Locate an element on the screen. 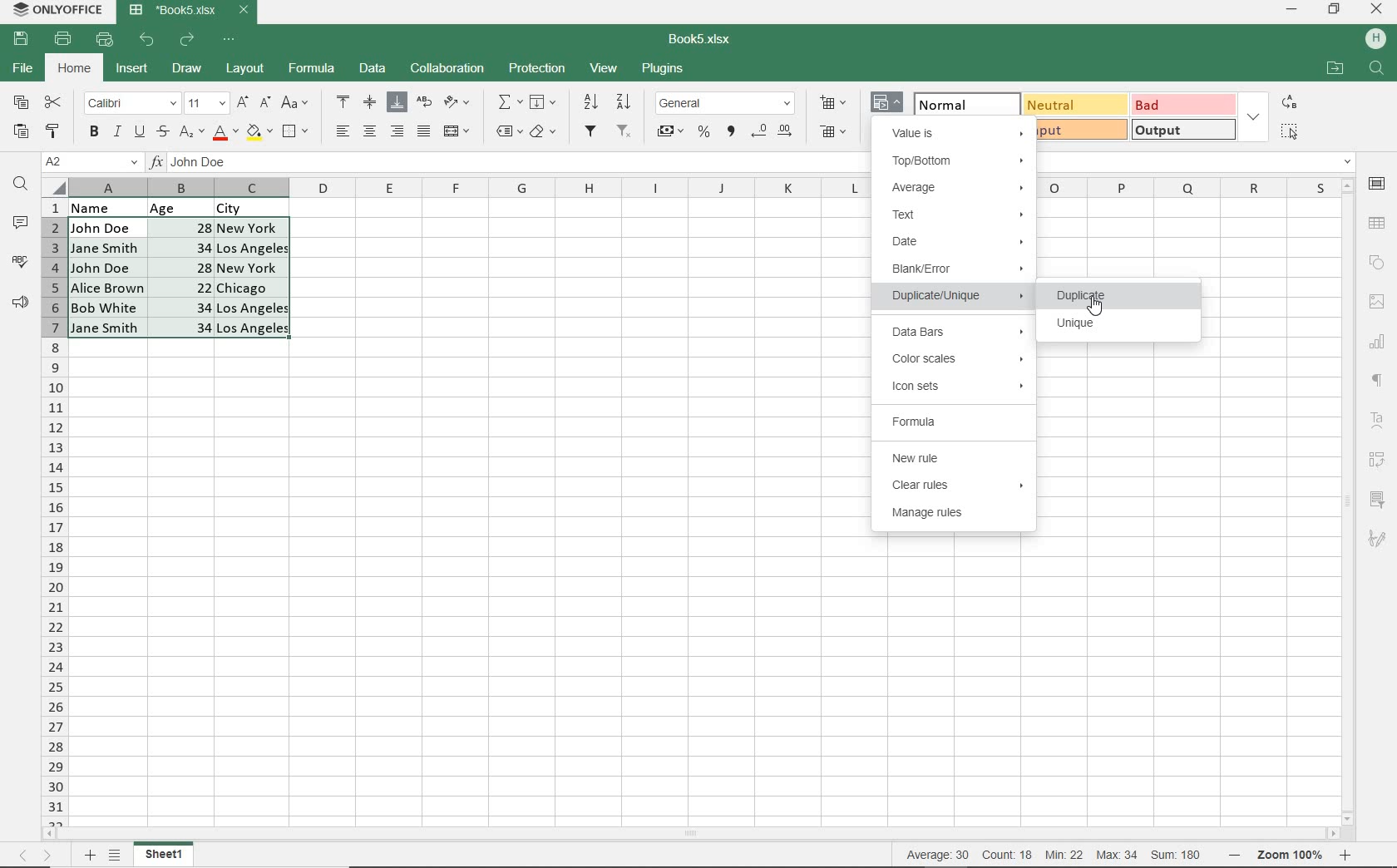 Image resolution: width=1397 pixels, height=868 pixels. INSERT is located at coordinates (132, 71).